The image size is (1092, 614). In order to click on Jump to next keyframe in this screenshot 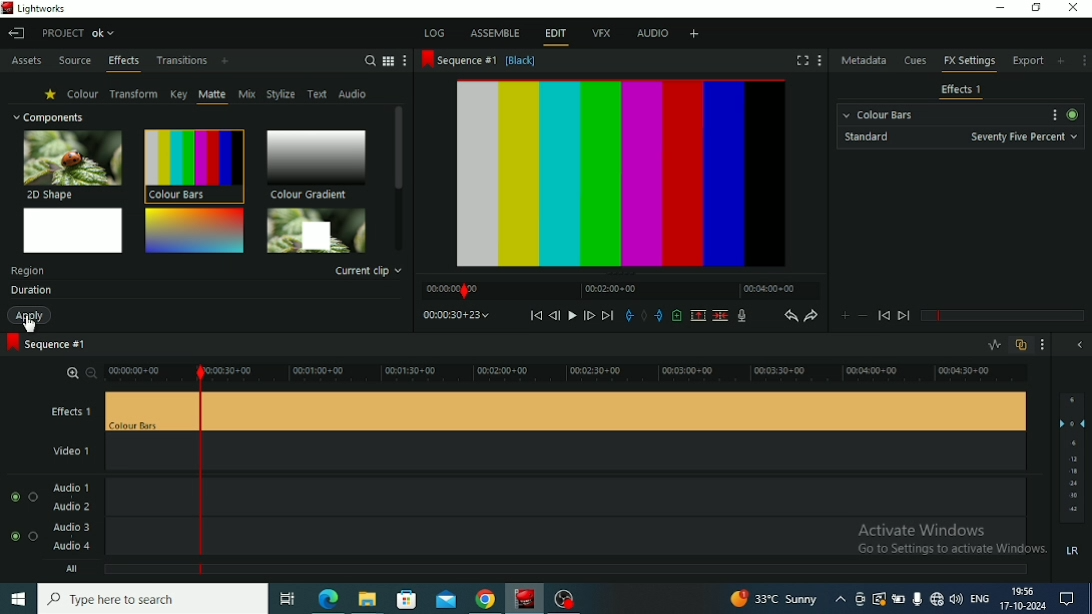, I will do `click(903, 317)`.